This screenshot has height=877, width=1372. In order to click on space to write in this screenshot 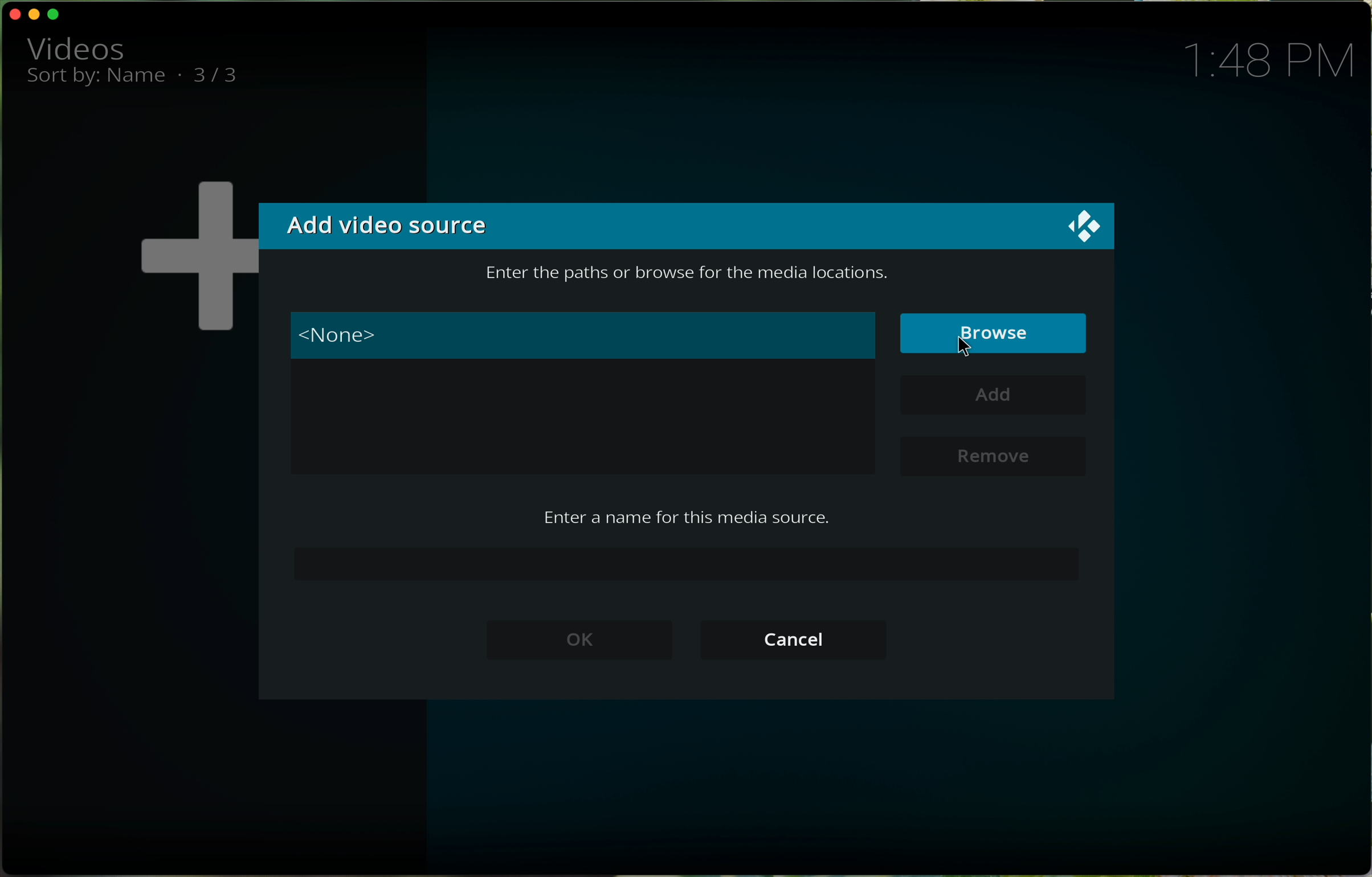, I will do `click(688, 563)`.